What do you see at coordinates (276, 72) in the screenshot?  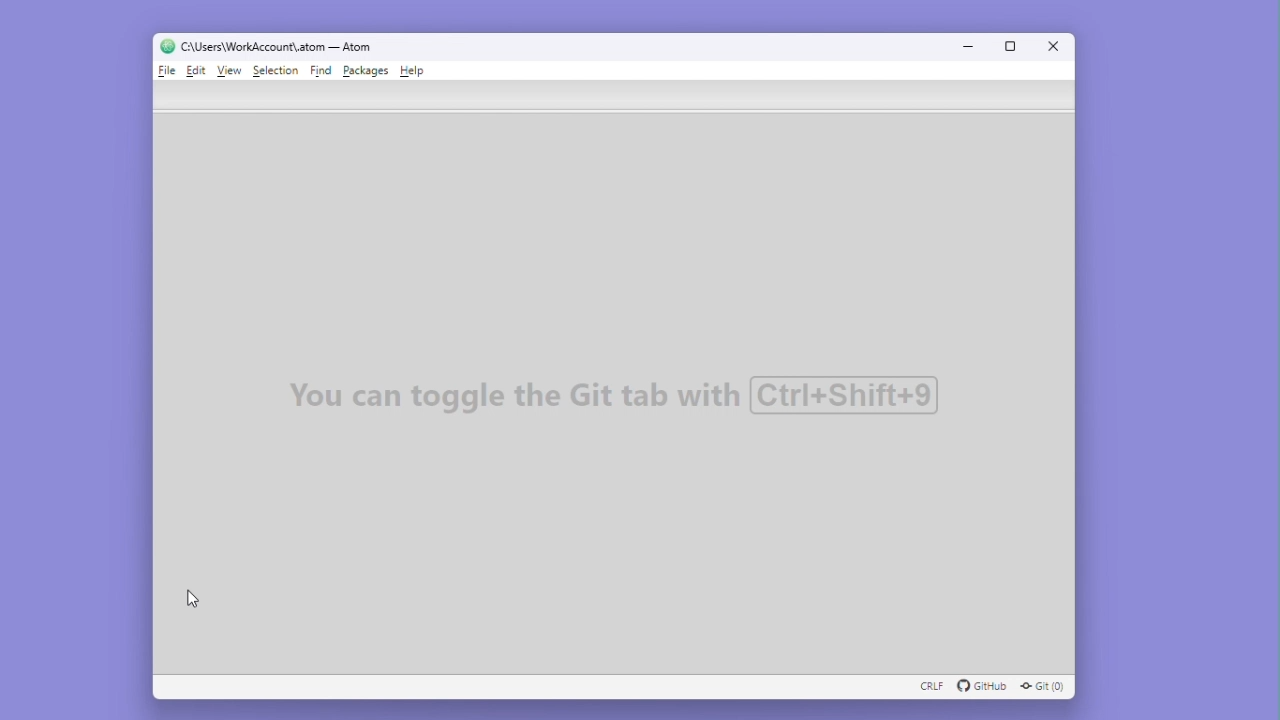 I see `Selection` at bounding box center [276, 72].